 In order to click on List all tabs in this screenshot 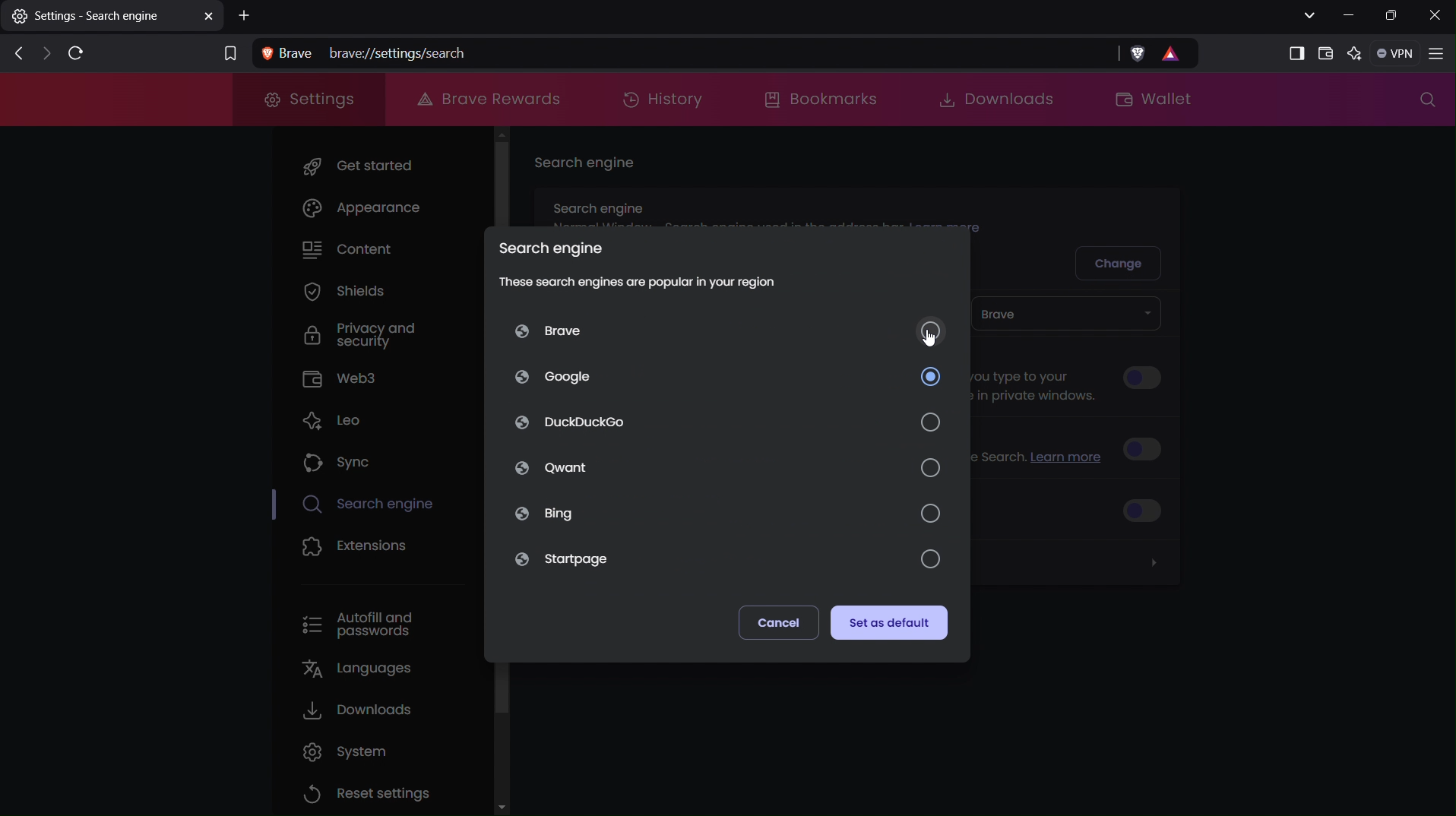, I will do `click(1307, 15)`.